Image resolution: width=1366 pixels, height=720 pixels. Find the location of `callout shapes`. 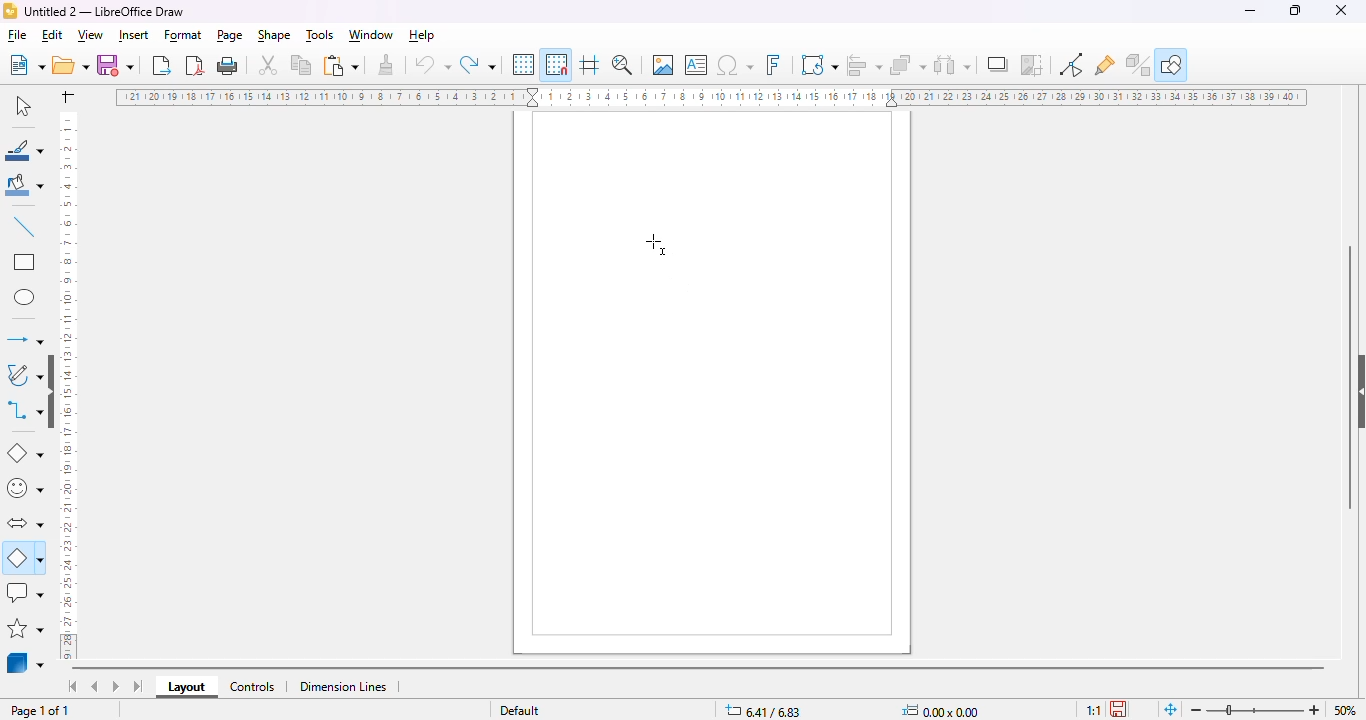

callout shapes is located at coordinates (27, 592).